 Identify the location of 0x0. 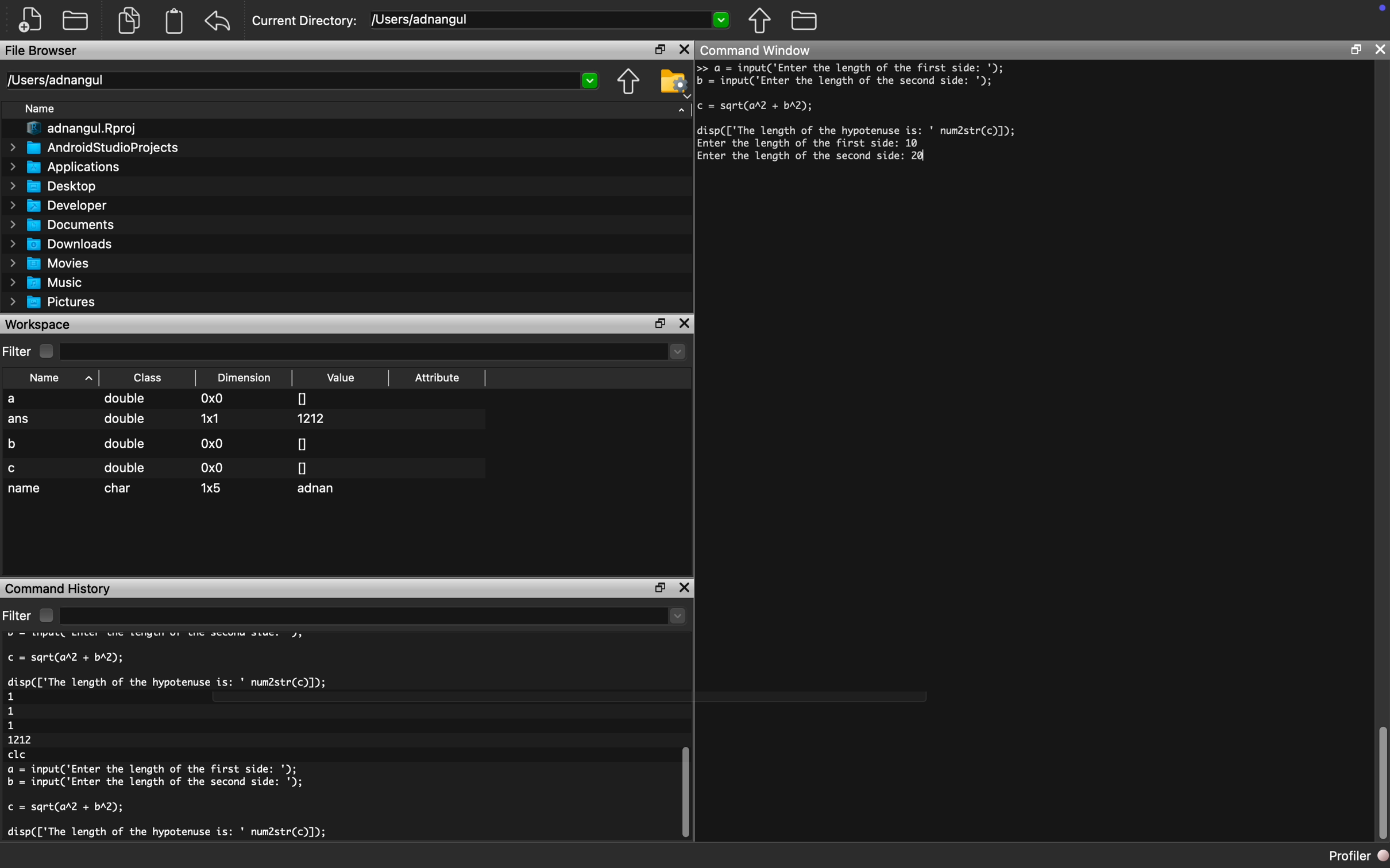
(210, 468).